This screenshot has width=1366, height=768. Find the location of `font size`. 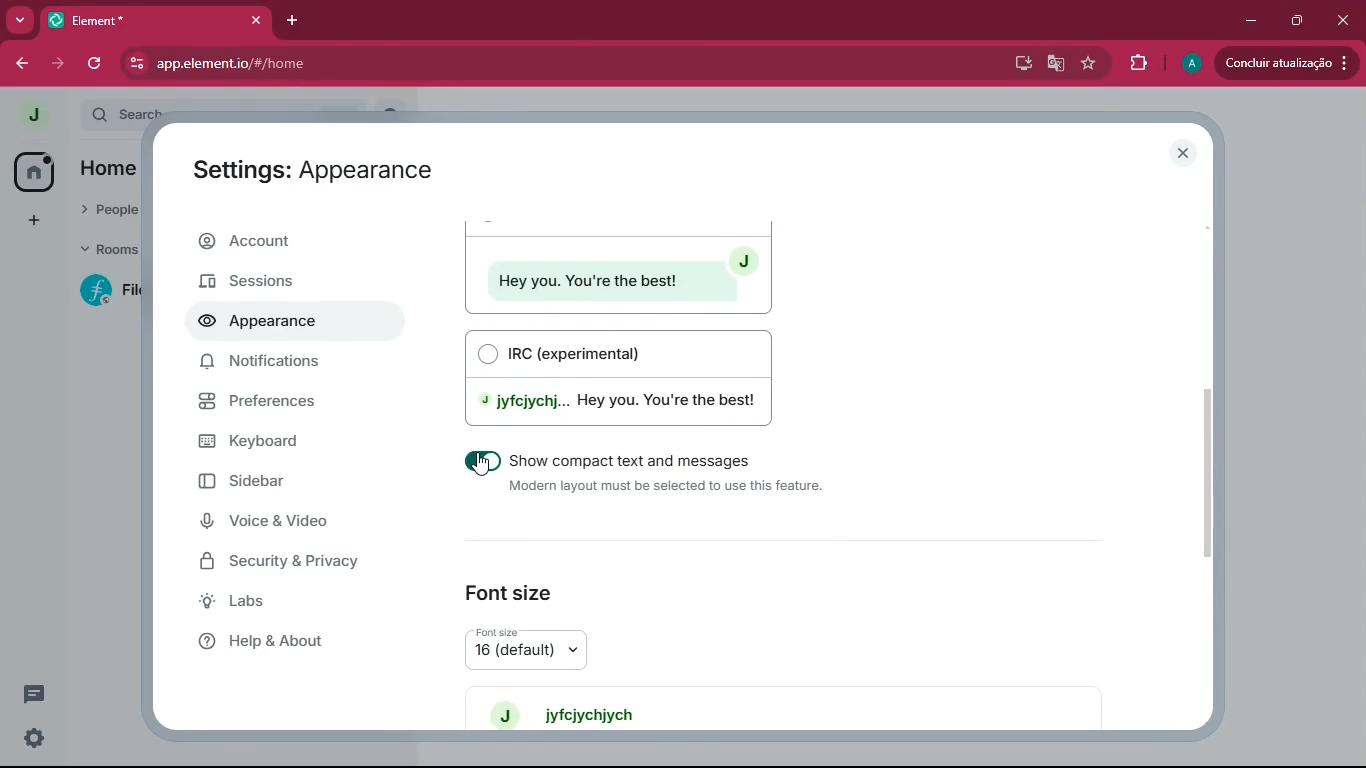

font size is located at coordinates (548, 648).